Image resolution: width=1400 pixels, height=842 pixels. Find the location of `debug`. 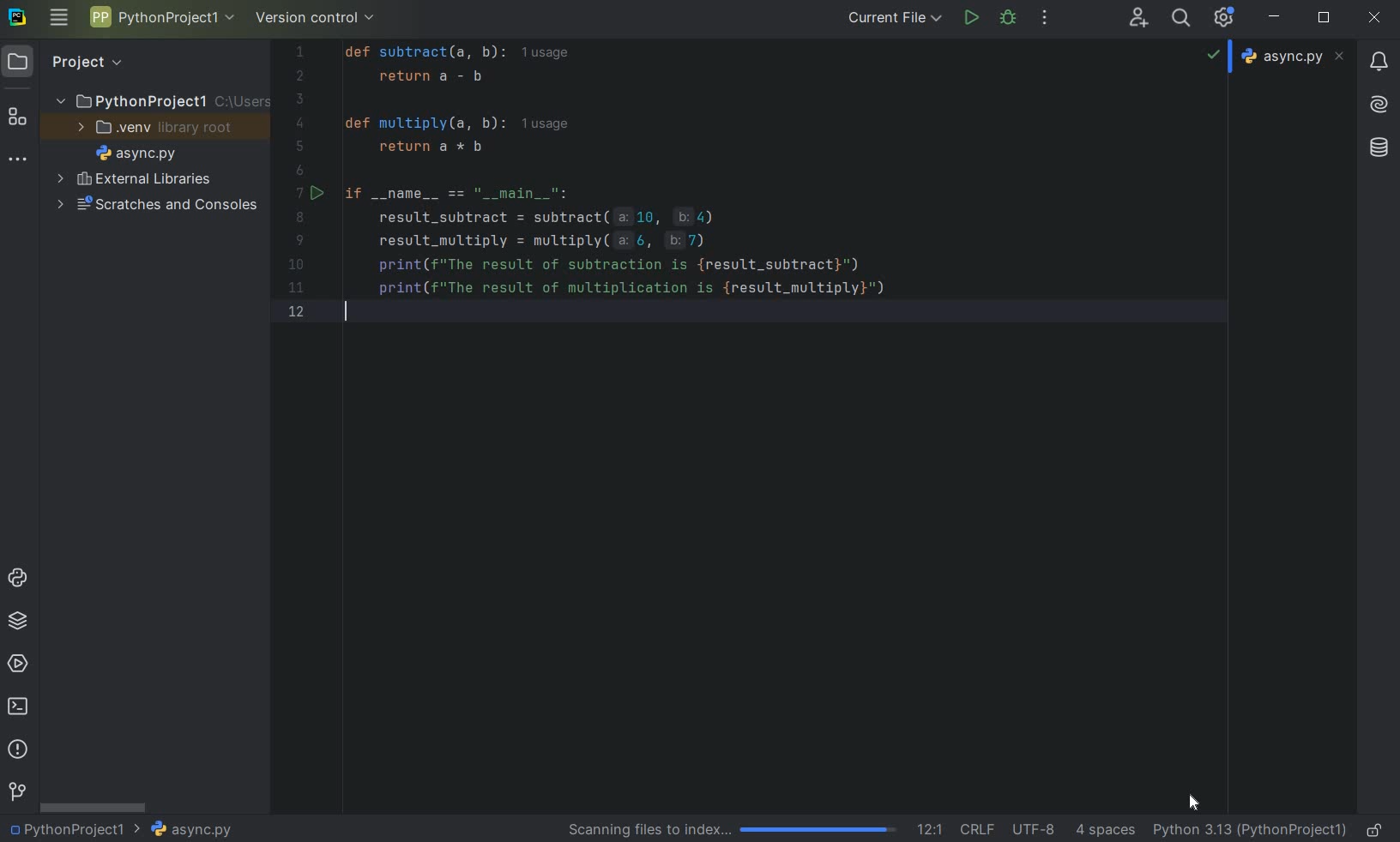

debug is located at coordinates (1010, 20).